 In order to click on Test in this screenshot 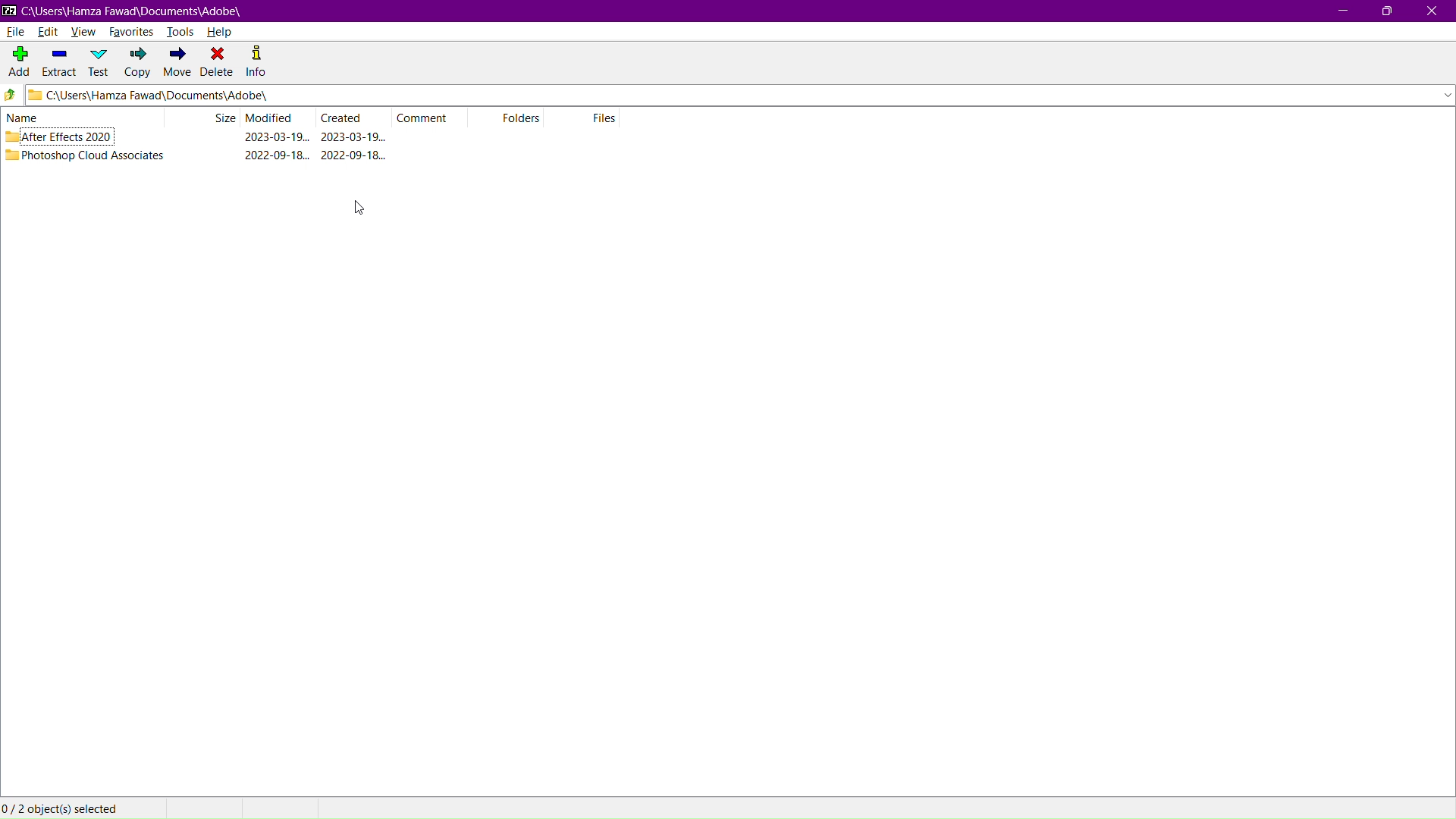, I will do `click(98, 62)`.